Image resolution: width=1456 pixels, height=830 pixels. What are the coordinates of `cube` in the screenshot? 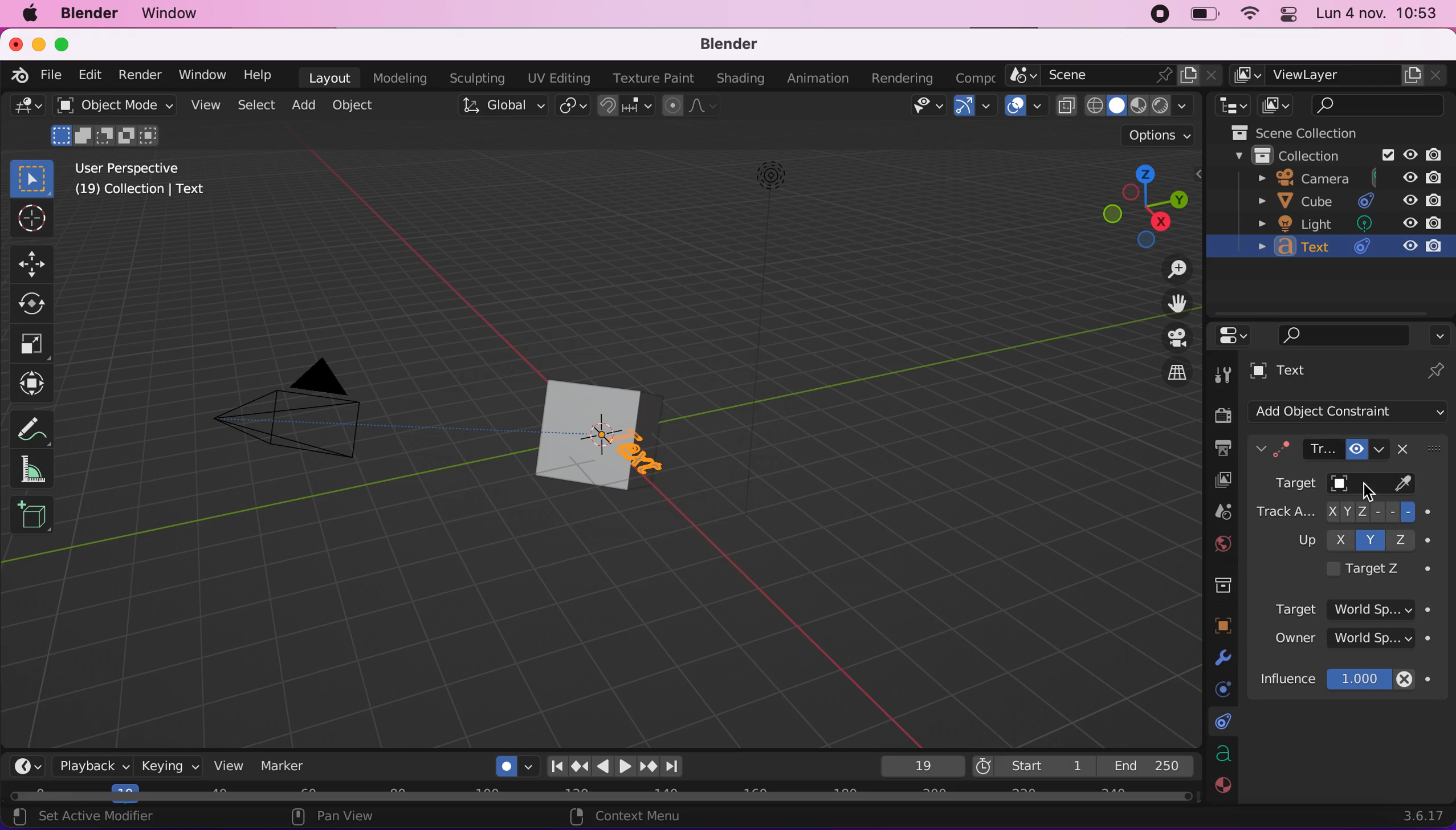 It's located at (638, 401).